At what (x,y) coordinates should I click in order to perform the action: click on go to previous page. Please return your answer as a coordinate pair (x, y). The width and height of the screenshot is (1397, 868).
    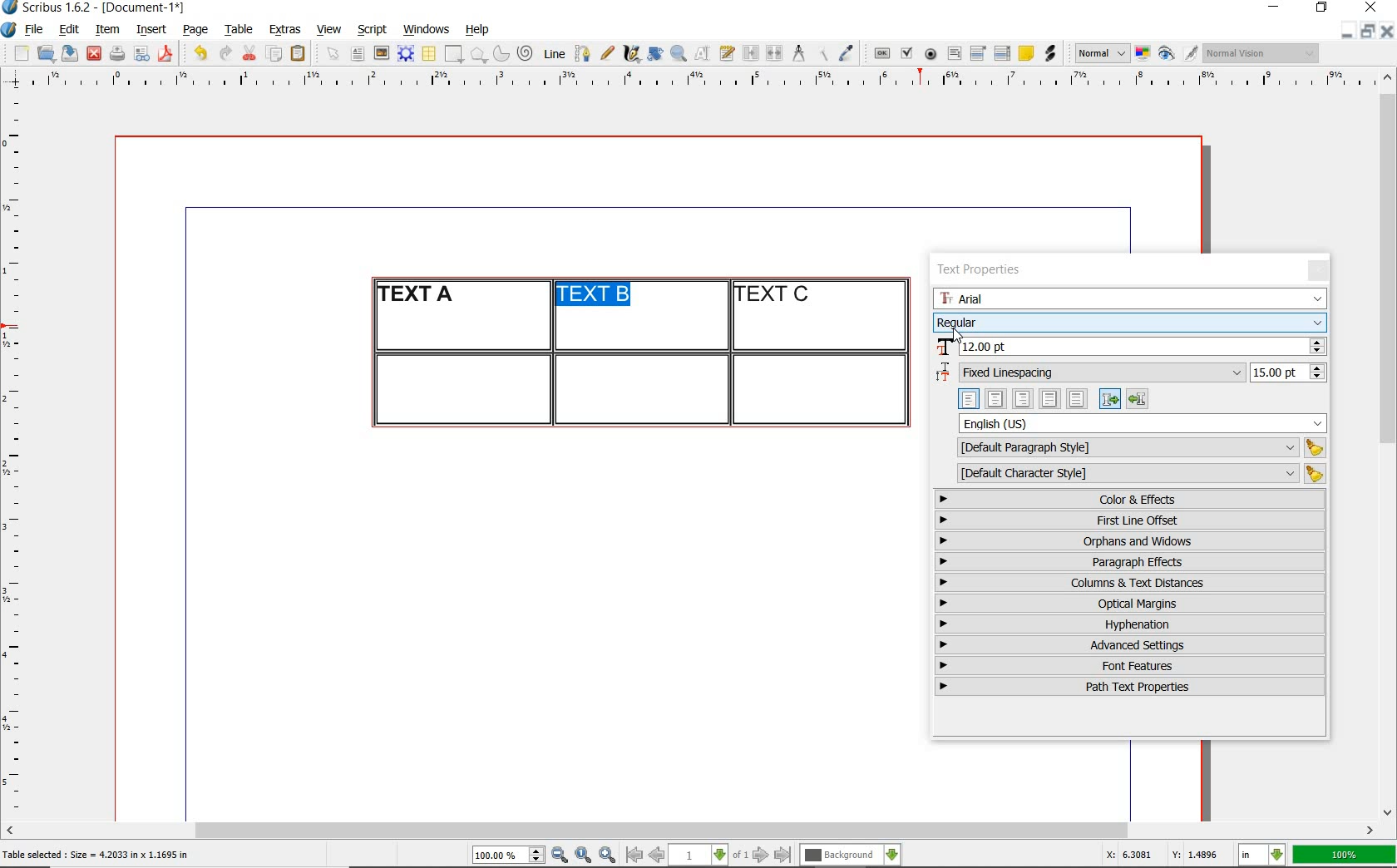
    Looking at the image, I should click on (656, 856).